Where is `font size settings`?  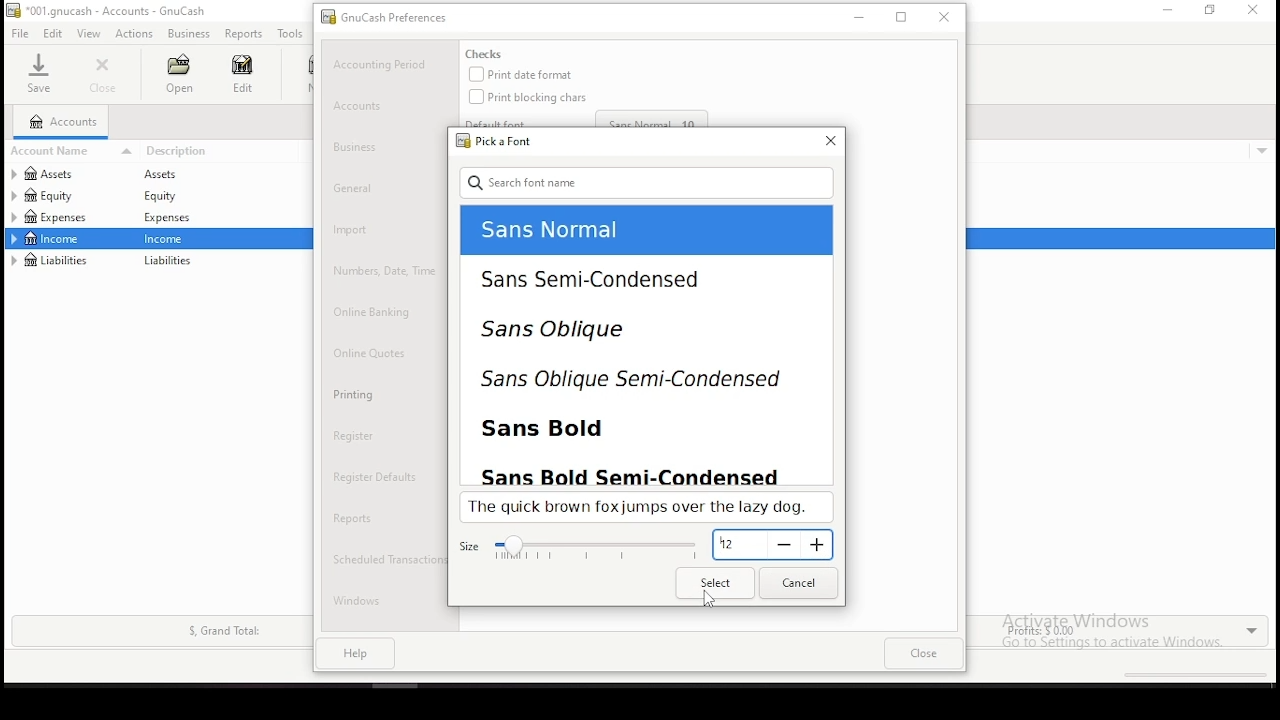
font size settings is located at coordinates (579, 547).